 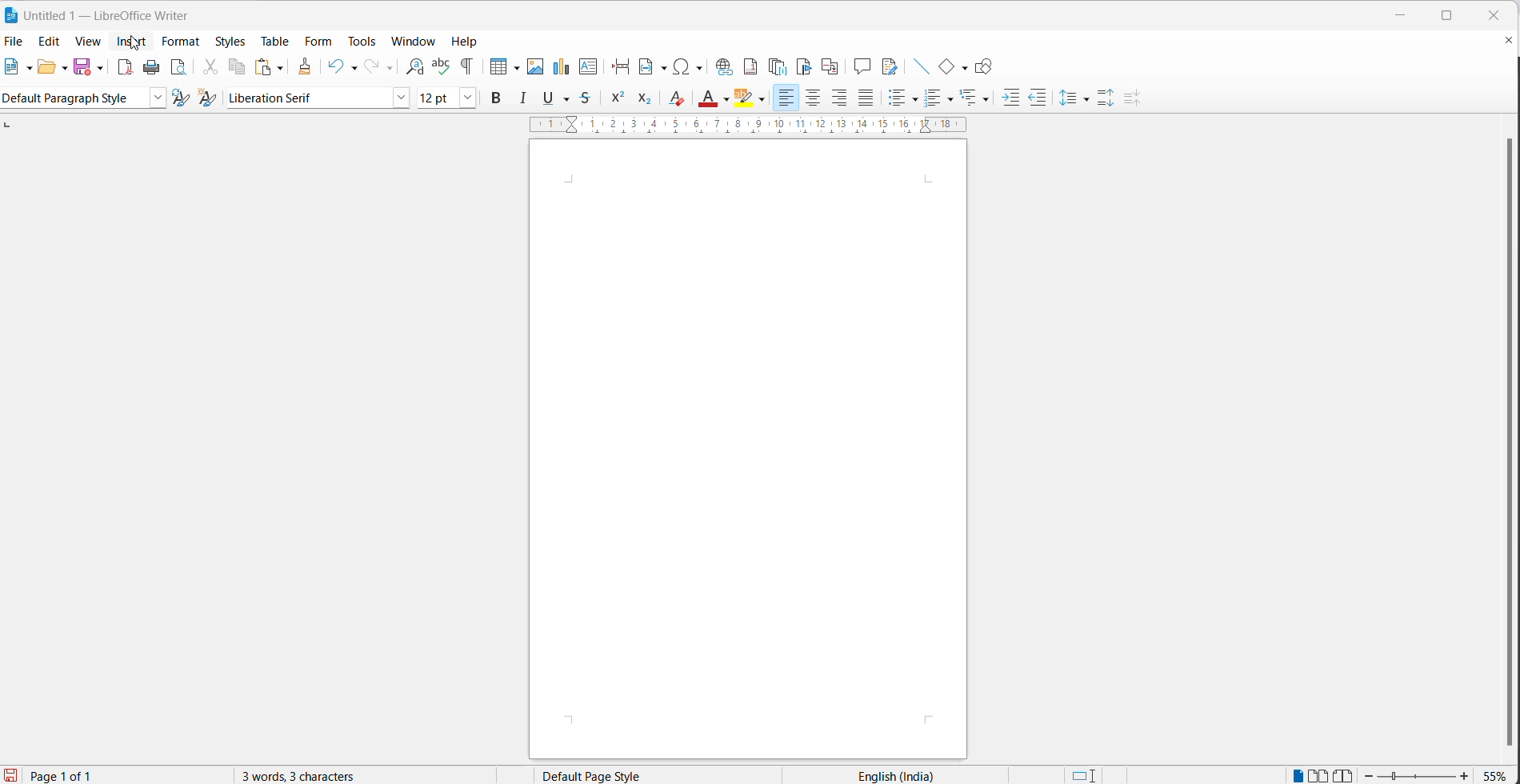 What do you see at coordinates (1493, 437) in the screenshot?
I see `scrollbar` at bounding box center [1493, 437].